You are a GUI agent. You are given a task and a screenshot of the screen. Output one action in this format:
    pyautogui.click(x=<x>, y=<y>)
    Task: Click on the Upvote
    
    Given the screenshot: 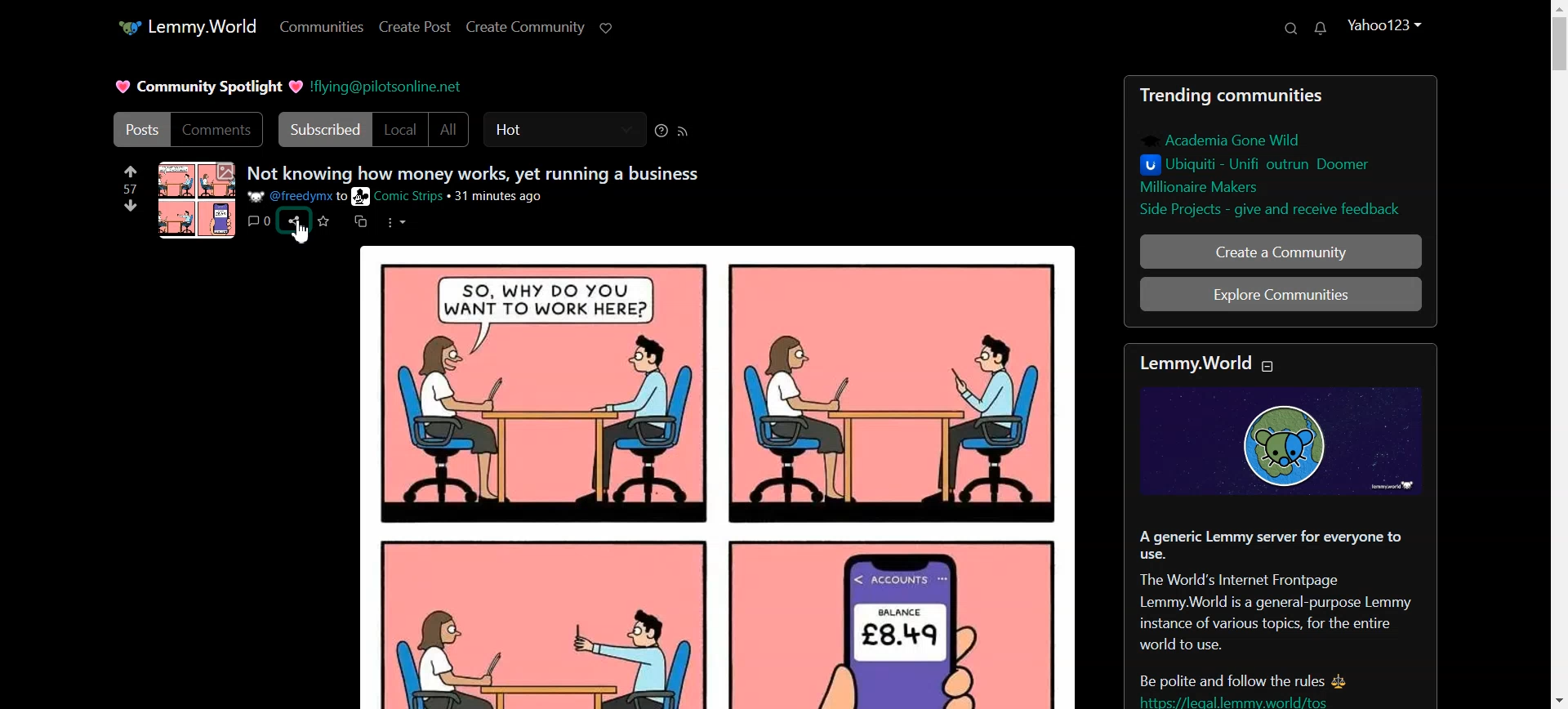 What is the action you would take?
    pyautogui.click(x=131, y=178)
    